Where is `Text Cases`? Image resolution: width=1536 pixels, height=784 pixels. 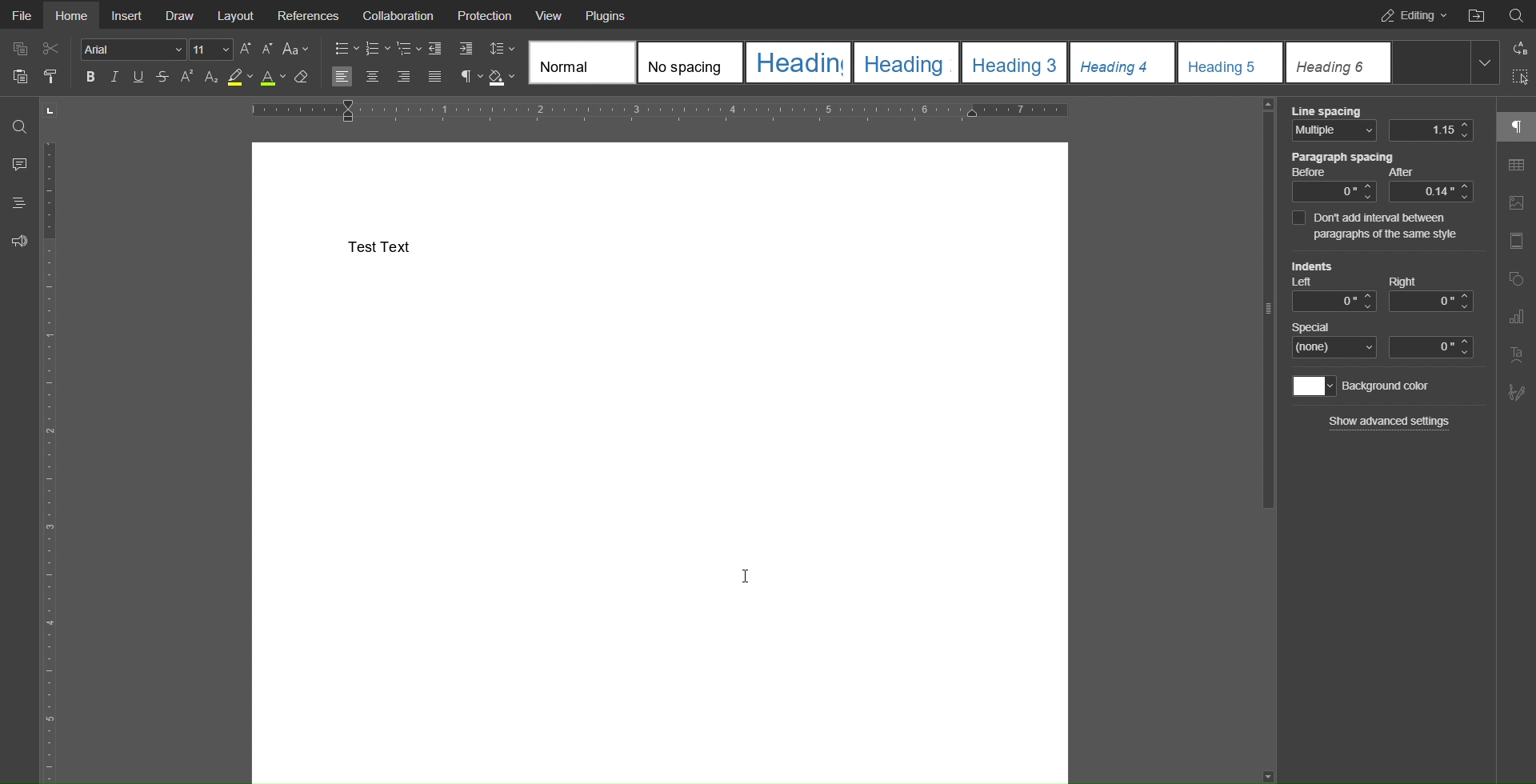 Text Cases is located at coordinates (294, 49).